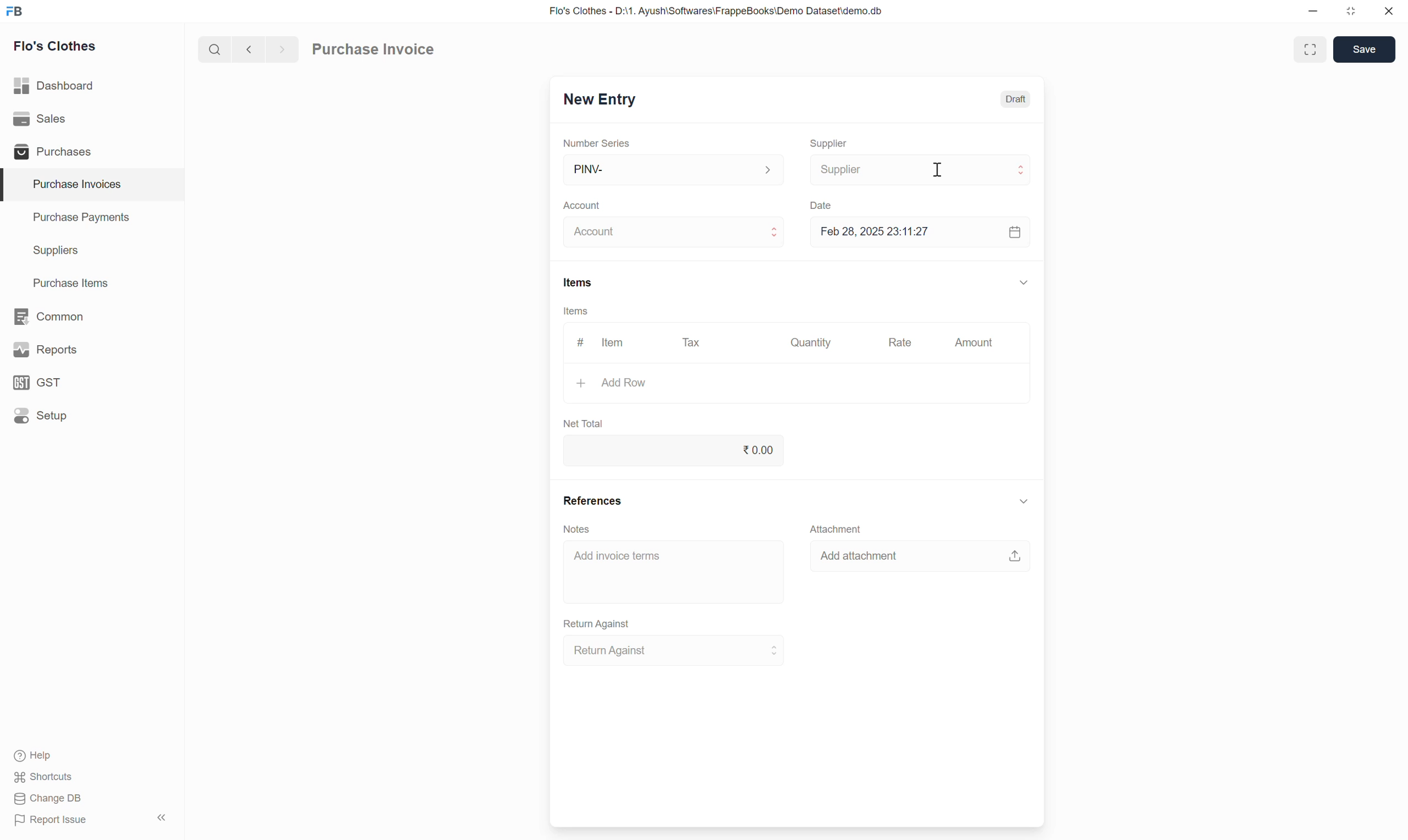  What do you see at coordinates (902, 232) in the screenshot?
I see `Feb 28, 2025 23:11:27` at bounding box center [902, 232].